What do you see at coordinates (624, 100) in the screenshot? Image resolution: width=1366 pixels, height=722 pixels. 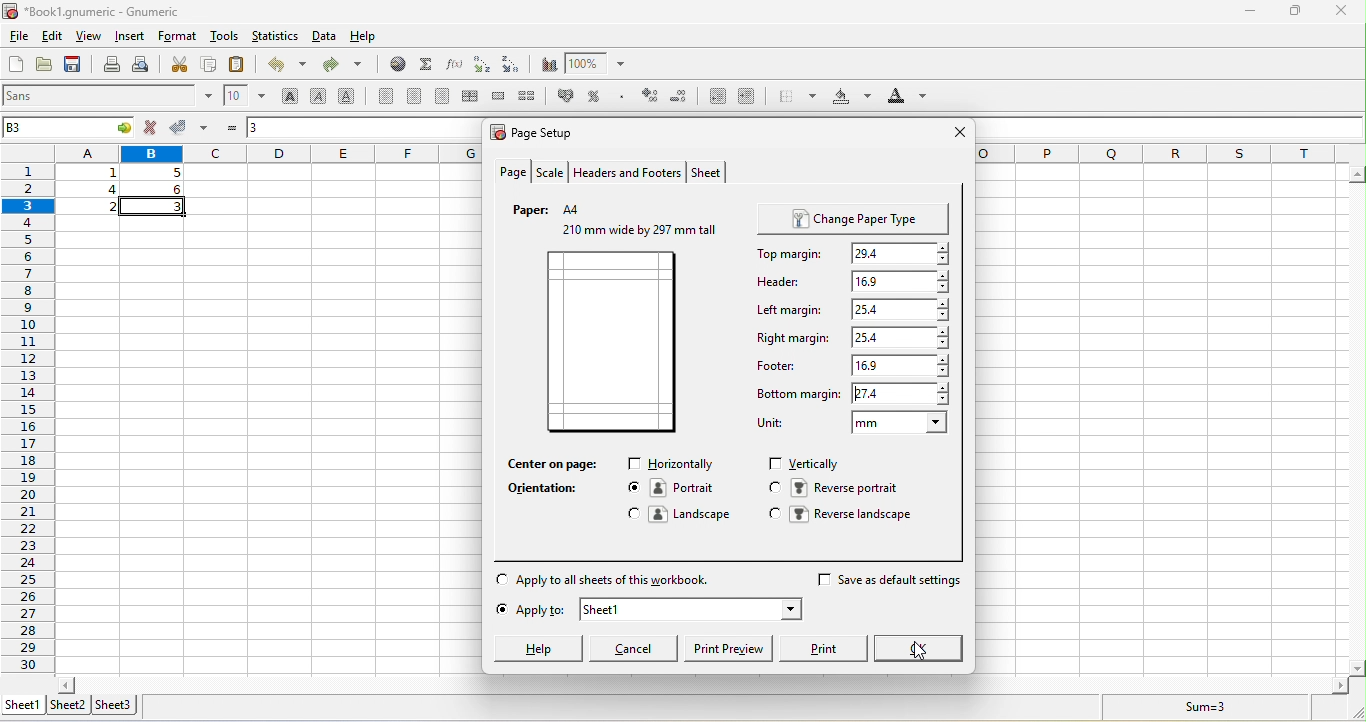 I see `set the format of the selected cells` at bounding box center [624, 100].